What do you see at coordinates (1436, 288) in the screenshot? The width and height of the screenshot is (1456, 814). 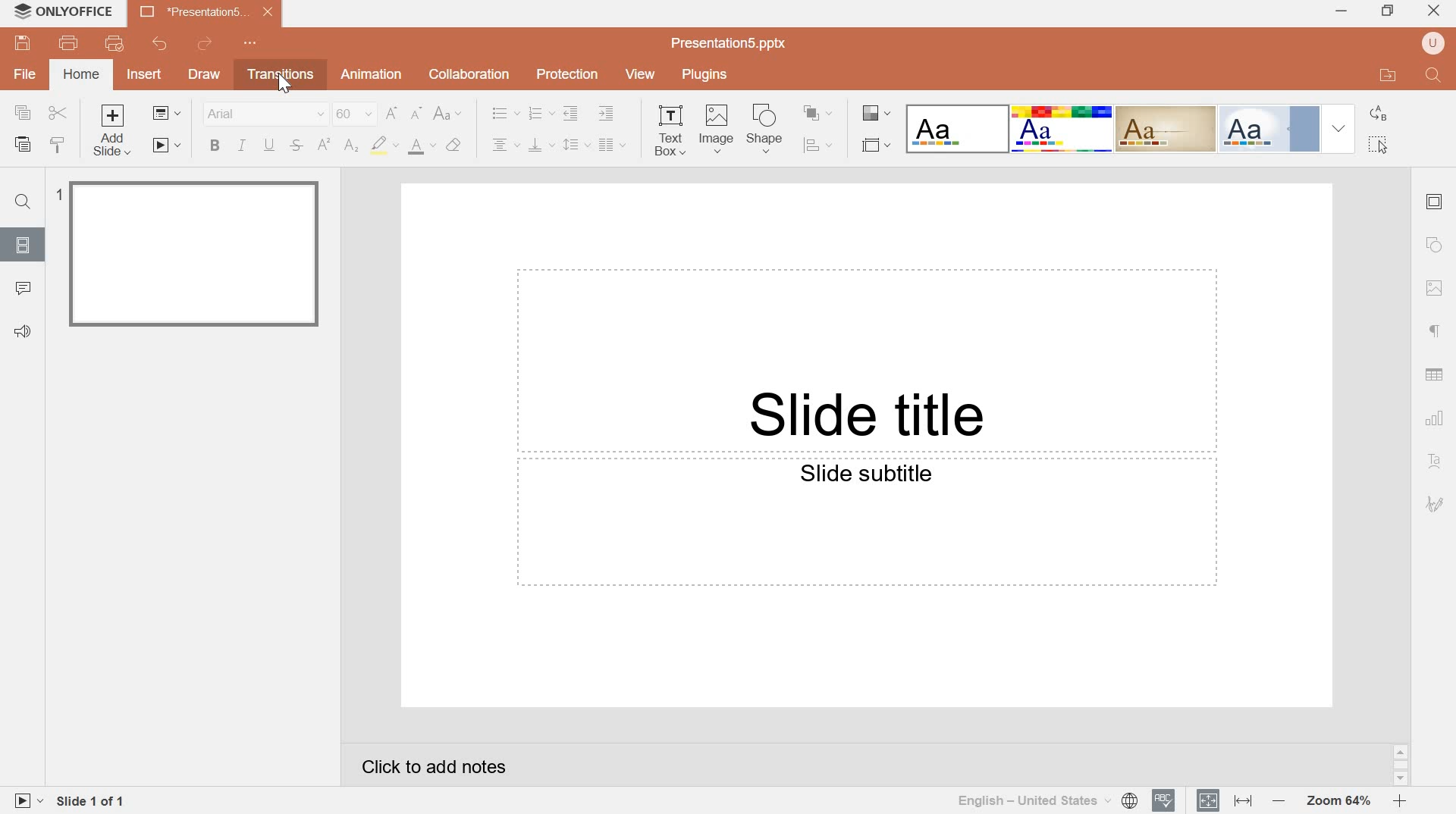 I see `Image` at bounding box center [1436, 288].